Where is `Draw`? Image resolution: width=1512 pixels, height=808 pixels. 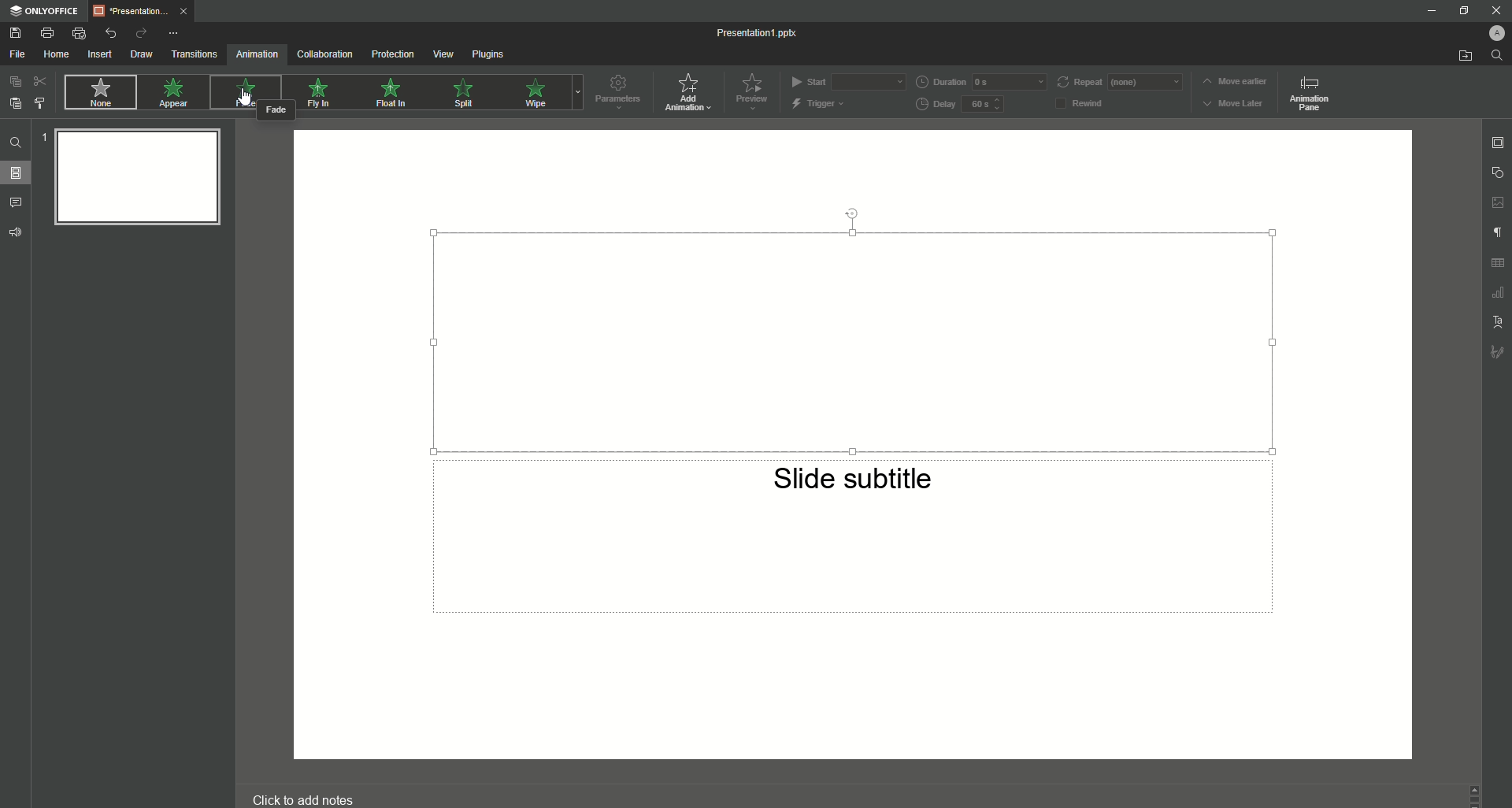 Draw is located at coordinates (139, 55).